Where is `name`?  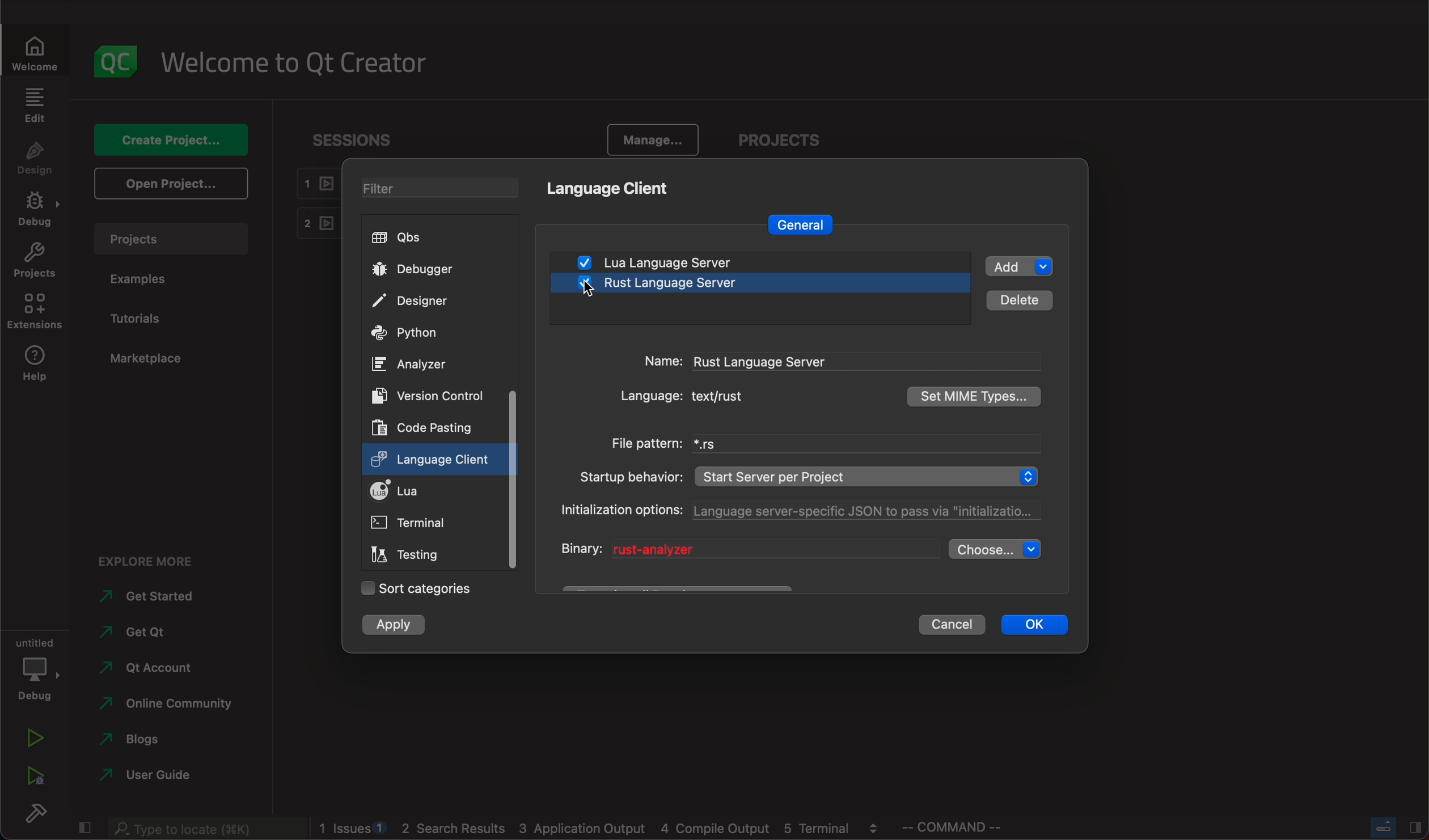
name is located at coordinates (816, 361).